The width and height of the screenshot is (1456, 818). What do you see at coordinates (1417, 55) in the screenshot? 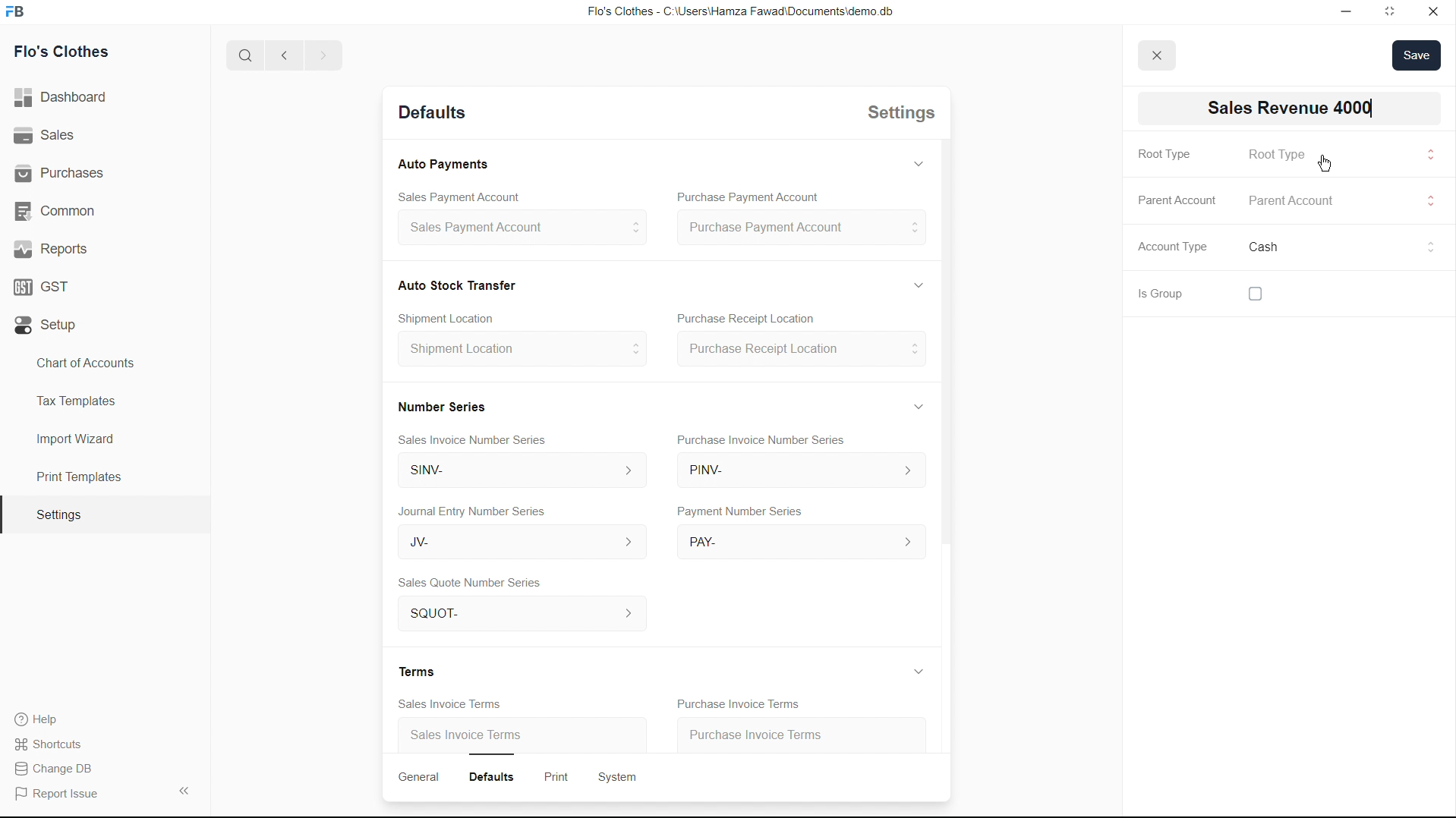
I see `save` at bounding box center [1417, 55].